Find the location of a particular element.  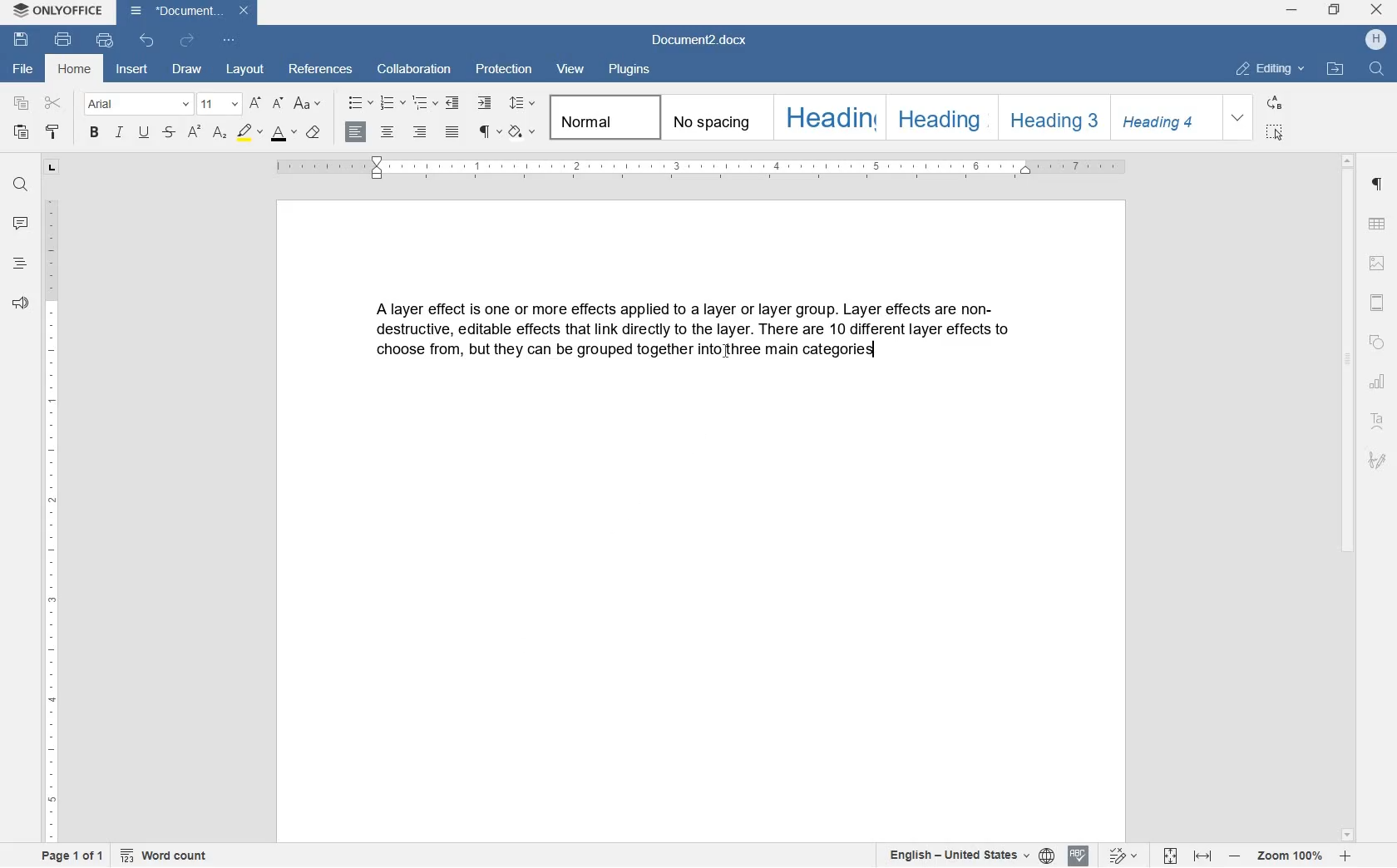

decrement font size is located at coordinates (279, 104).